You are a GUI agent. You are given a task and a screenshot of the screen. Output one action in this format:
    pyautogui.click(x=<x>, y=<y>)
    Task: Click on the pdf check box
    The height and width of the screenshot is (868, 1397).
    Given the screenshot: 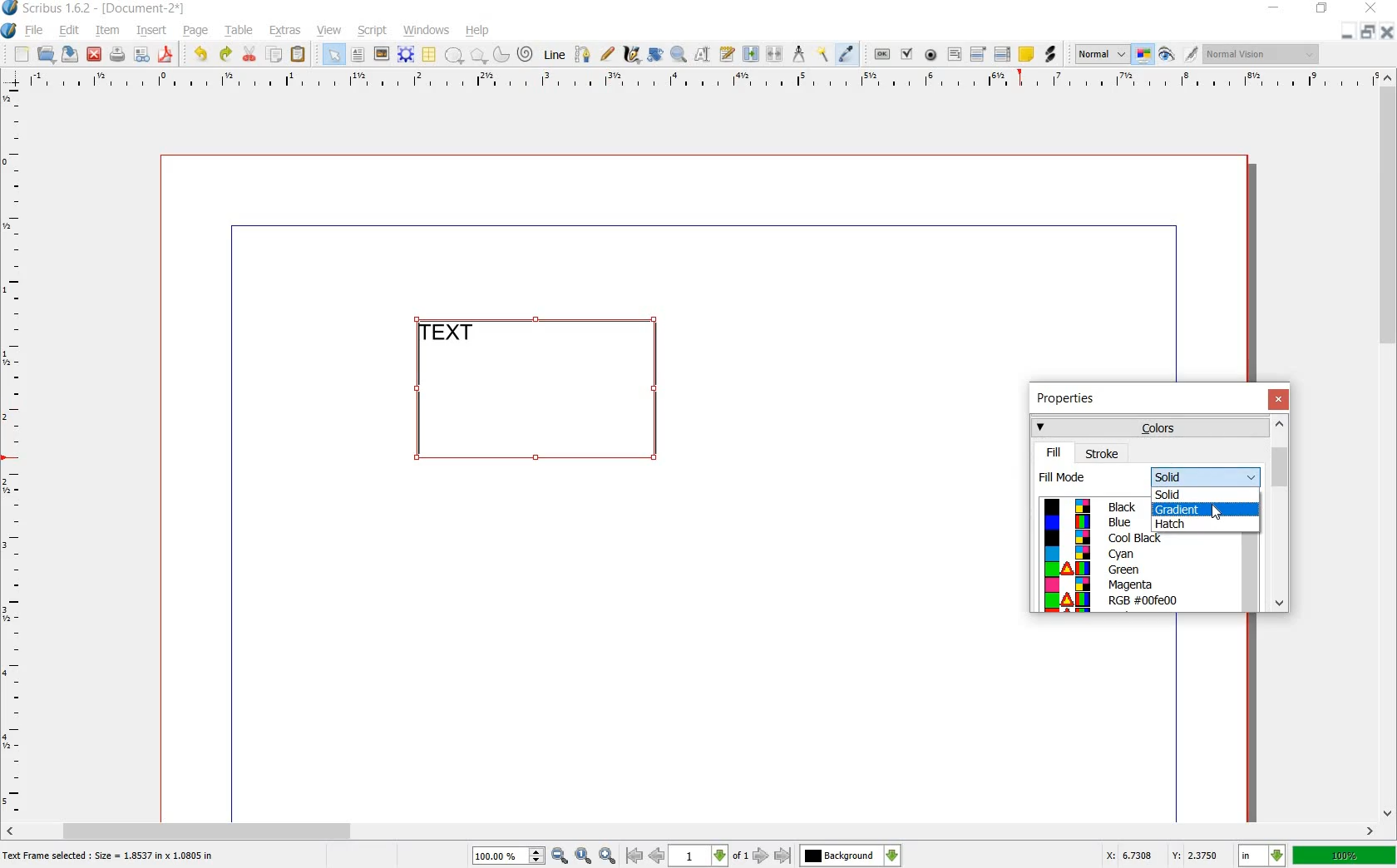 What is the action you would take?
    pyautogui.click(x=906, y=54)
    